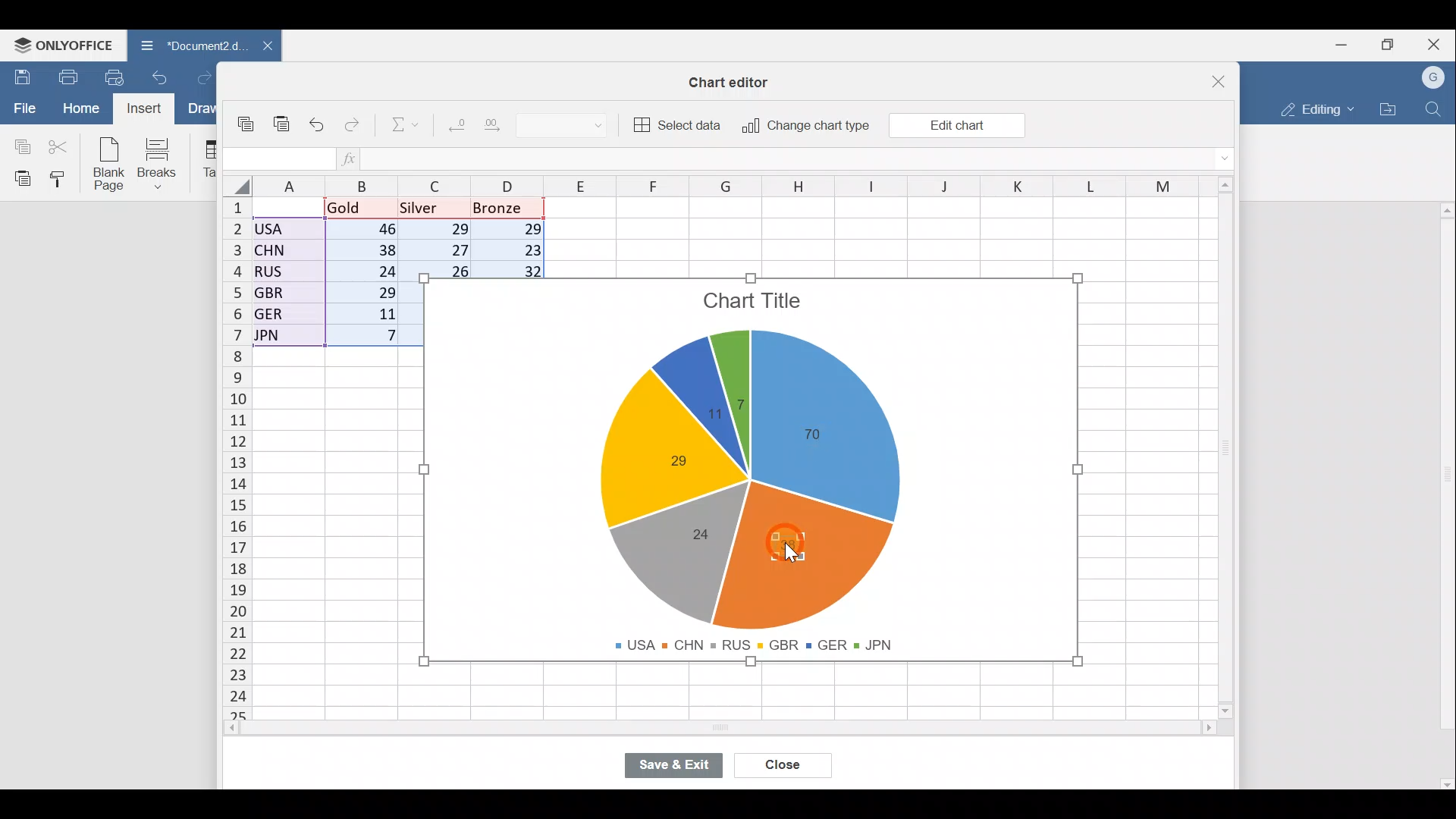  What do you see at coordinates (19, 177) in the screenshot?
I see `Paste` at bounding box center [19, 177].